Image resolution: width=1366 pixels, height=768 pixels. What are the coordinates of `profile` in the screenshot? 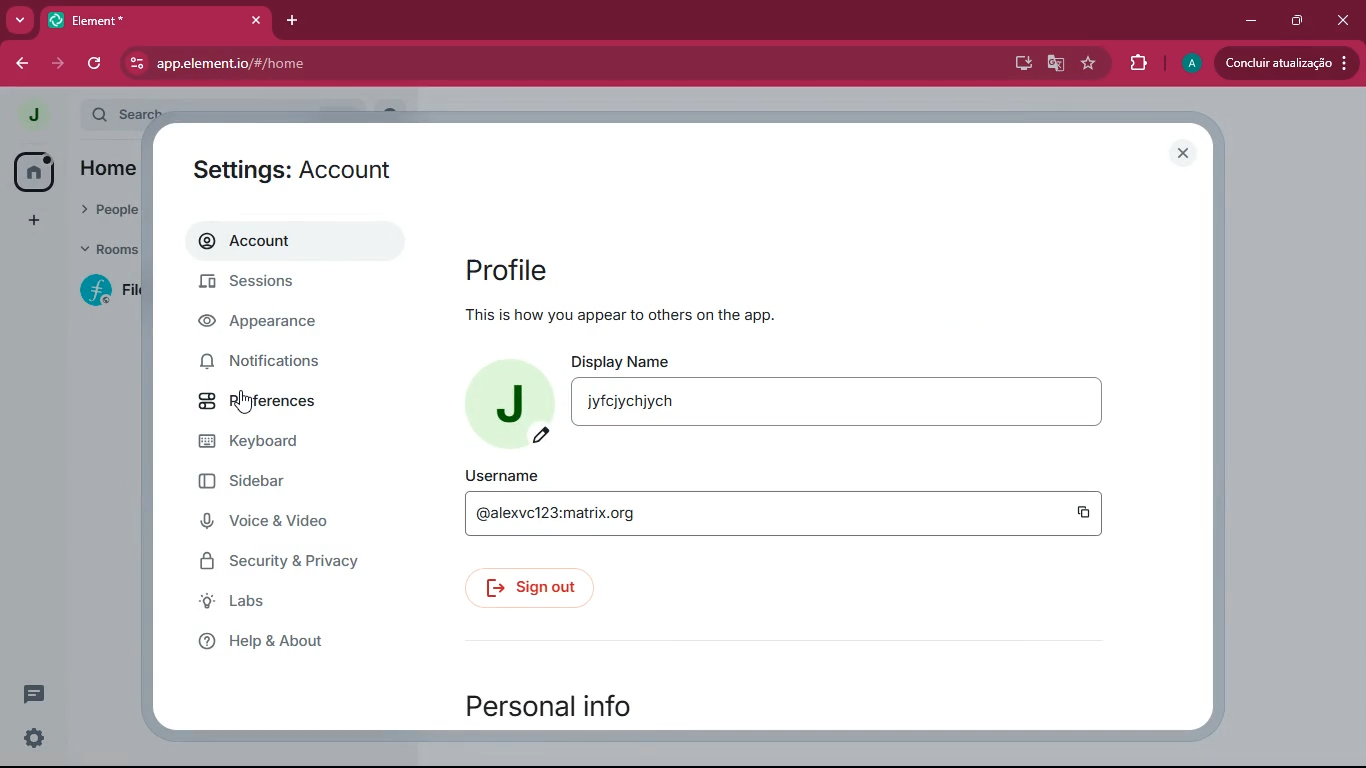 It's located at (510, 270).